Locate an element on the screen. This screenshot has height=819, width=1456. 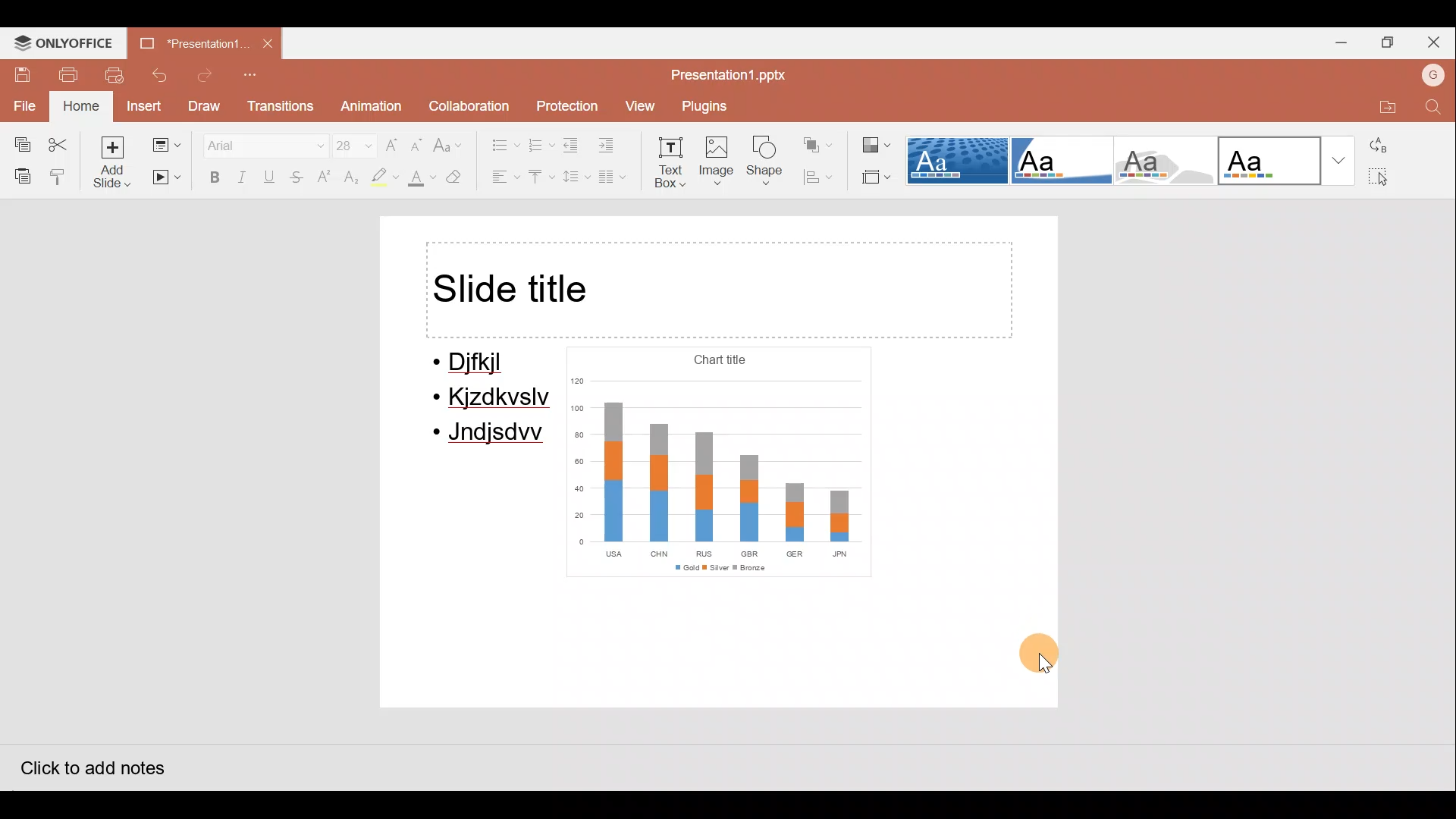
View is located at coordinates (638, 104).